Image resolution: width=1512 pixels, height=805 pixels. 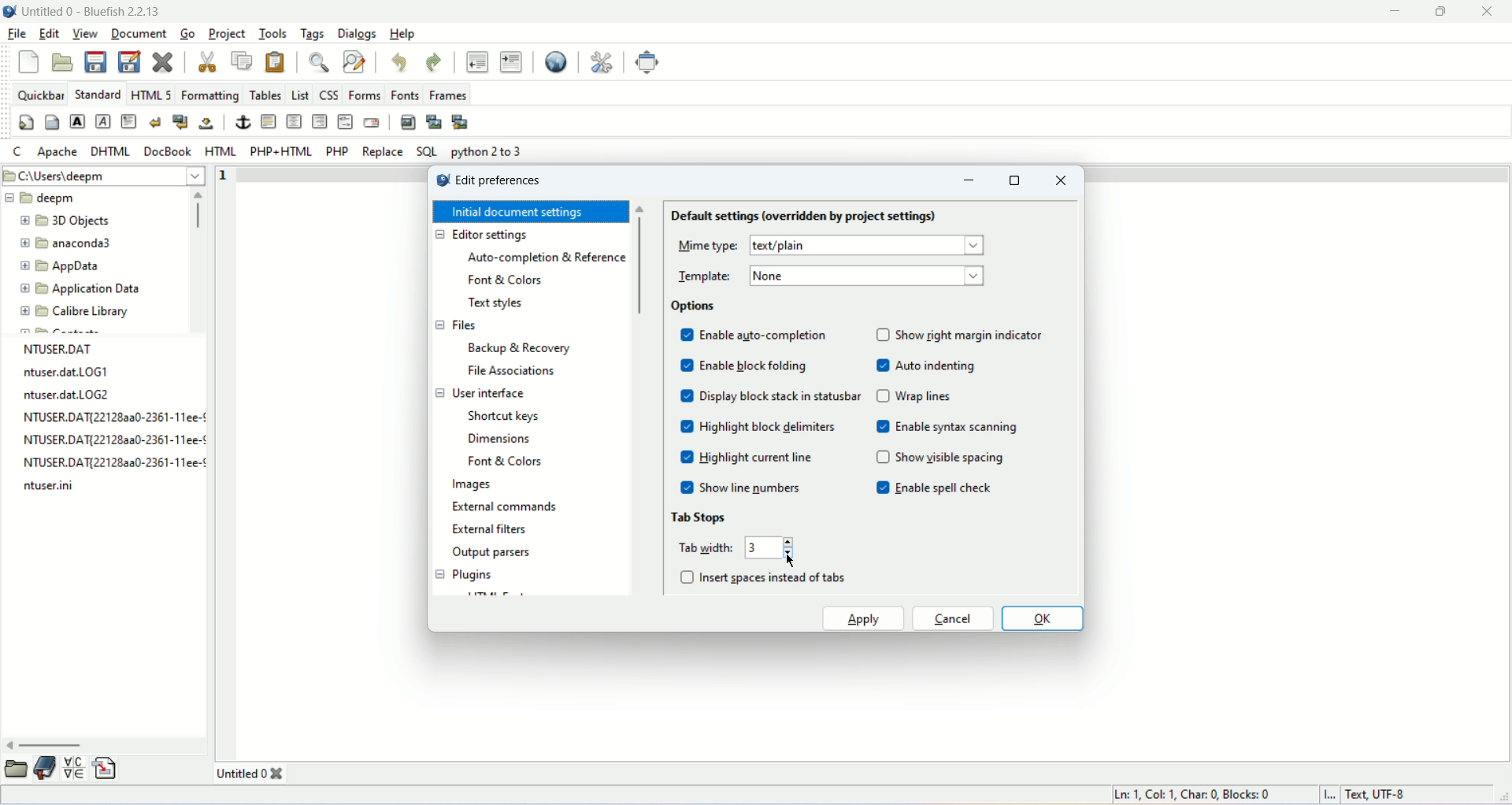 I want to click on anchor, so click(x=242, y=122).